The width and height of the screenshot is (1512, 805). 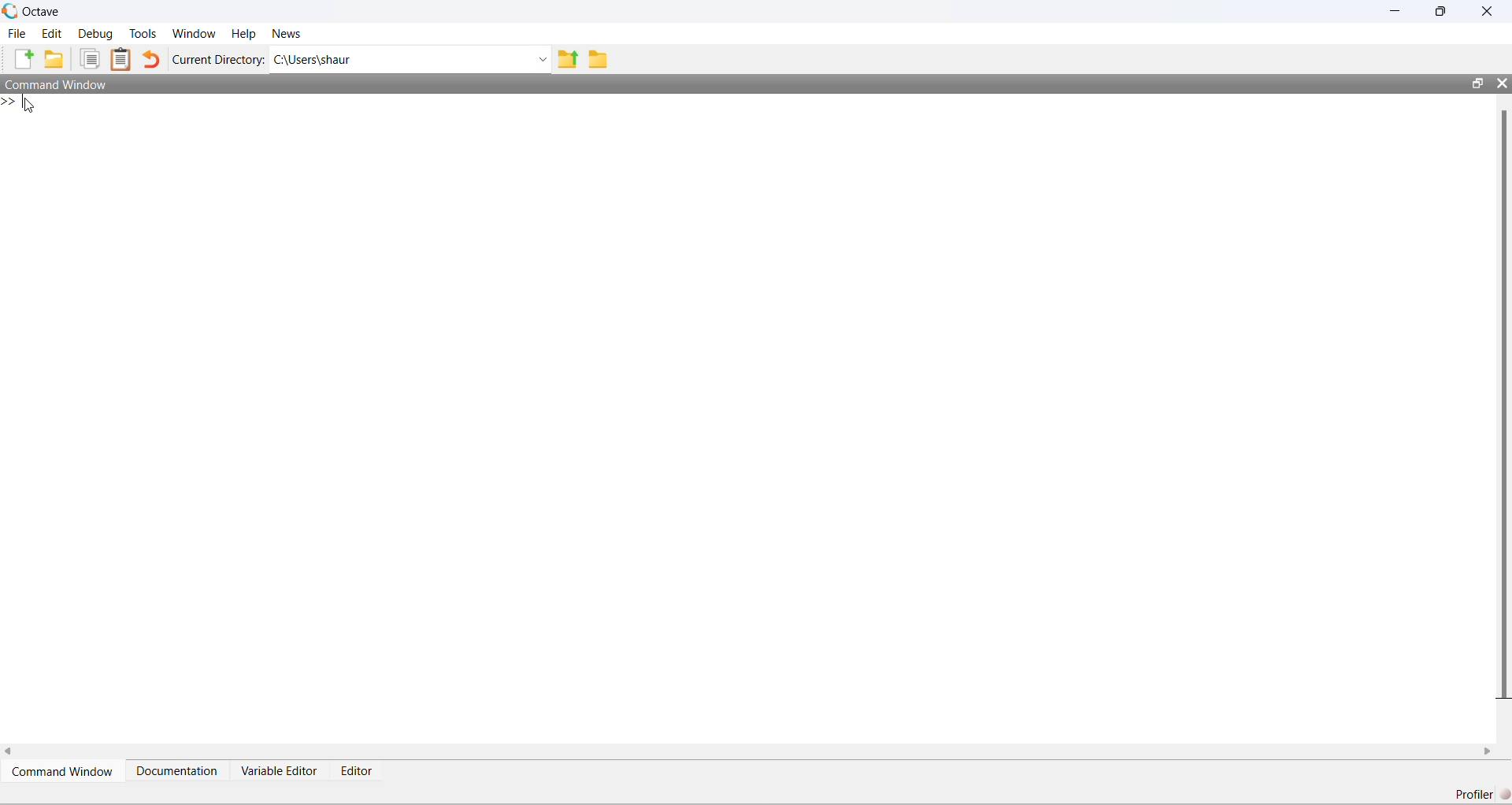 What do you see at coordinates (95, 34) in the screenshot?
I see `Debug` at bounding box center [95, 34].